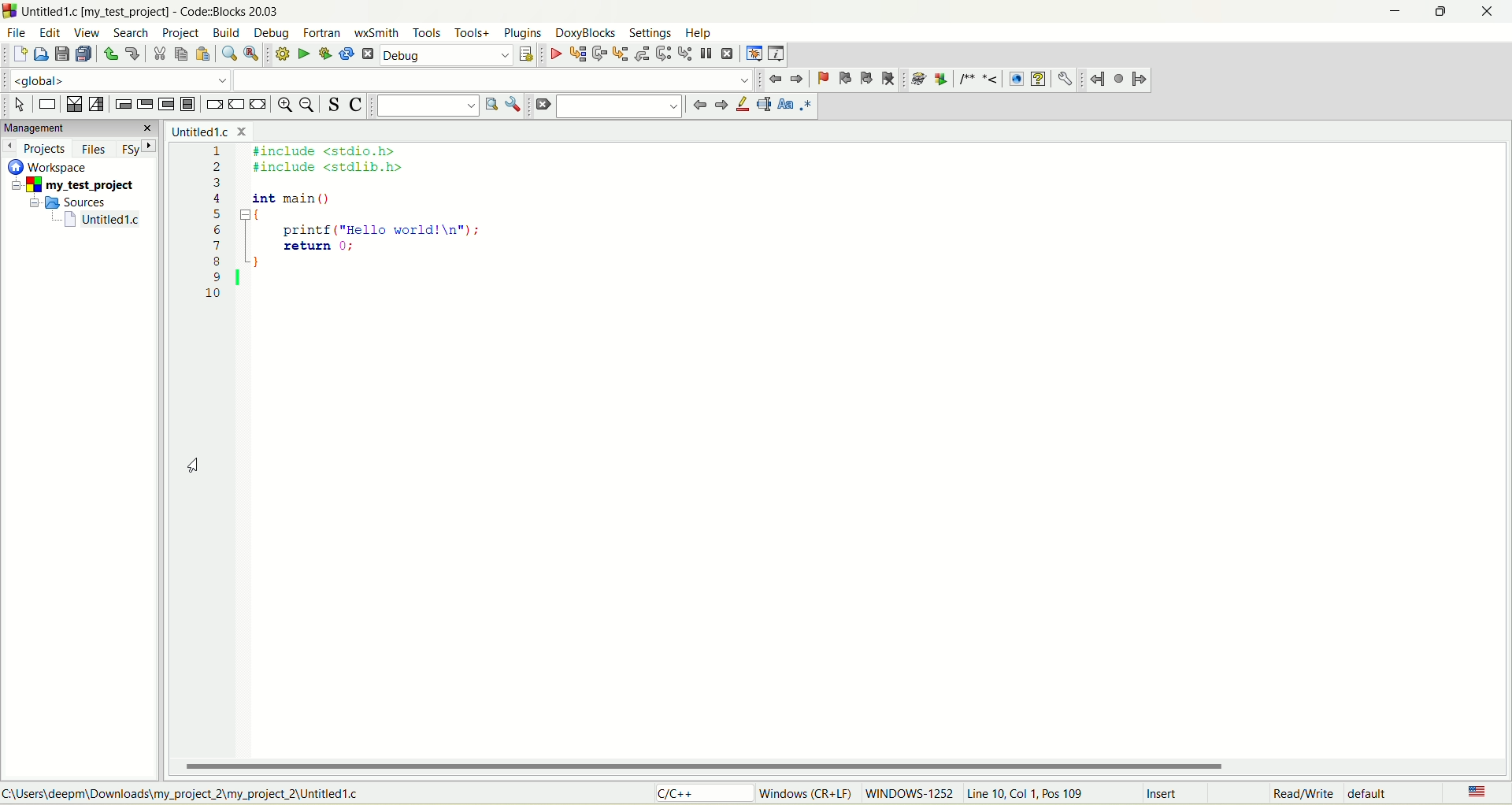 The image size is (1512, 805). Describe the element at coordinates (1435, 13) in the screenshot. I see `maximize` at that location.